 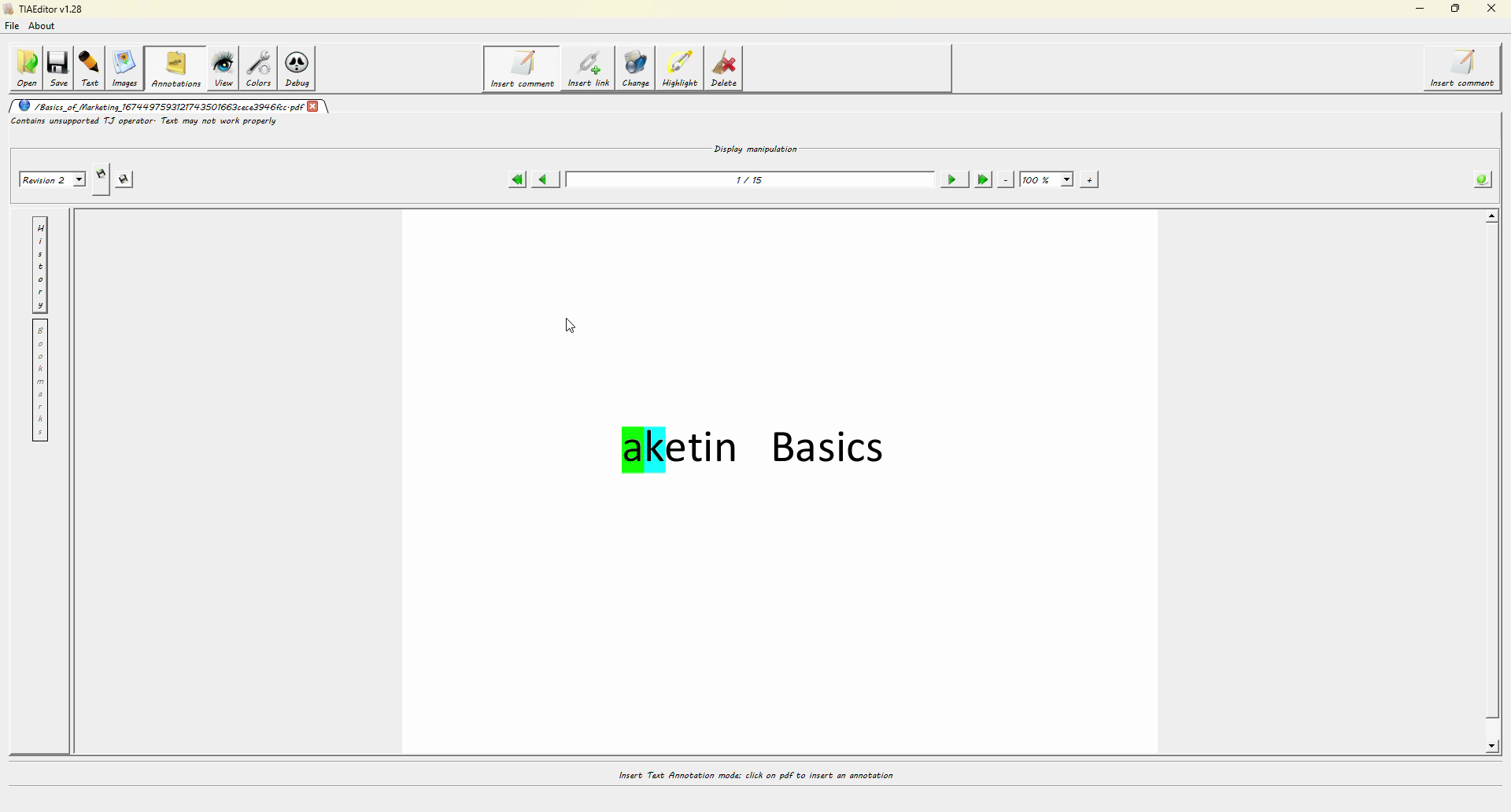 I want to click on scroll up, so click(x=1489, y=217).